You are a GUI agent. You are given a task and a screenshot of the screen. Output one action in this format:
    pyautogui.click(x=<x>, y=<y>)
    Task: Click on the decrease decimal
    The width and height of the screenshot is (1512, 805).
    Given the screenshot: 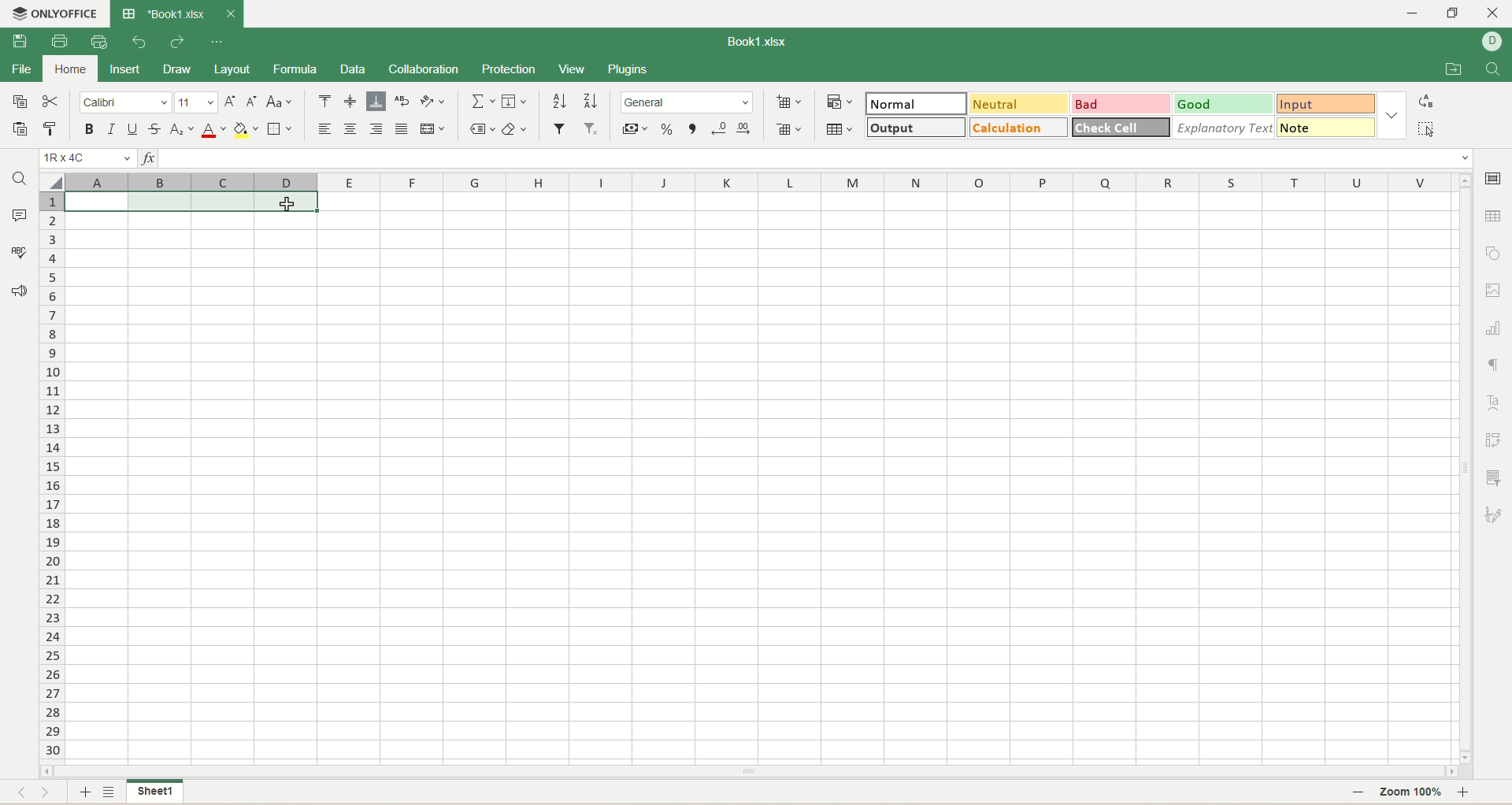 What is the action you would take?
    pyautogui.click(x=716, y=128)
    